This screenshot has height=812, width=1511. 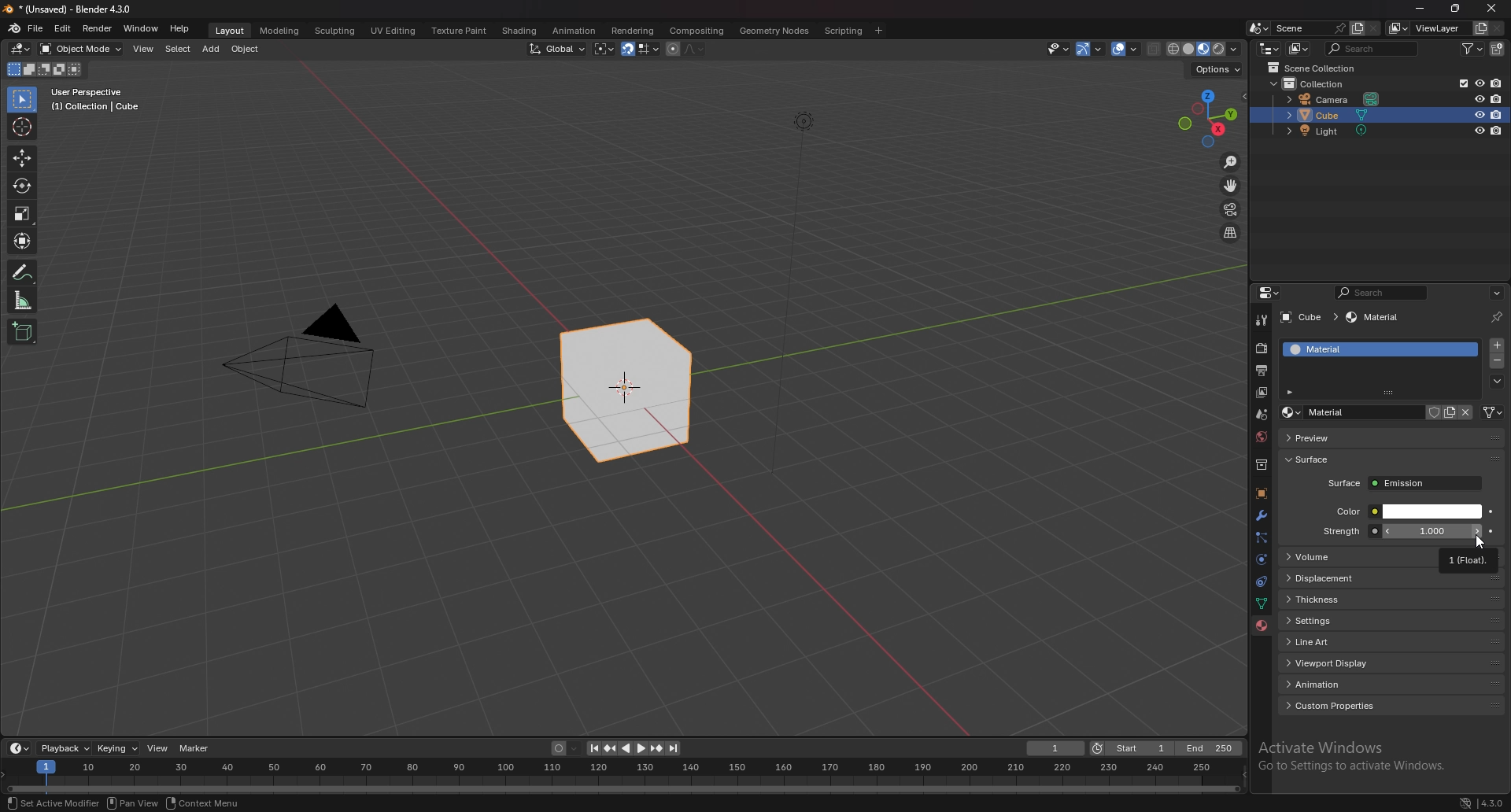 What do you see at coordinates (1261, 603) in the screenshot?
I see `data` at bounding box center [1261, 603].